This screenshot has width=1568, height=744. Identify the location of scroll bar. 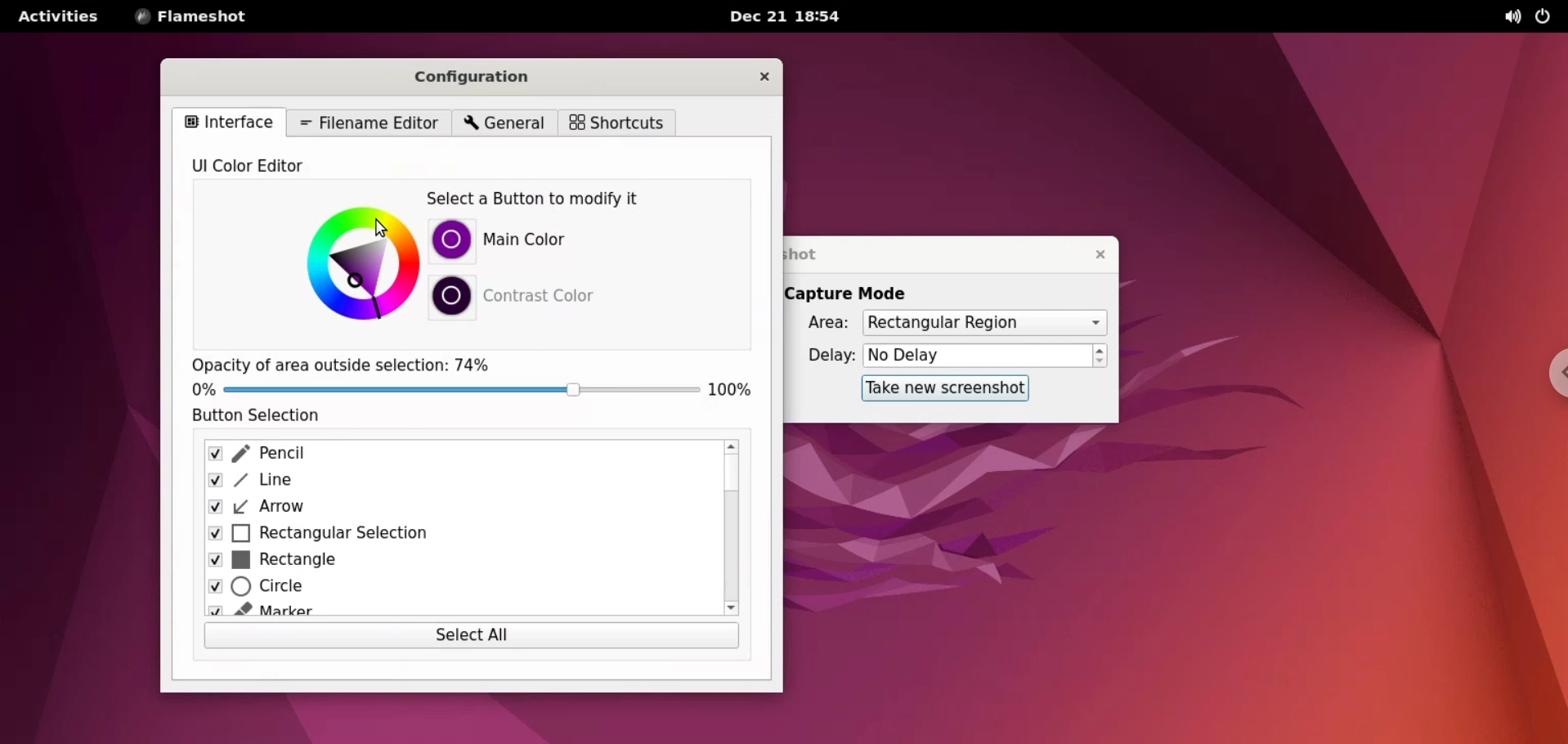
(728, 530).